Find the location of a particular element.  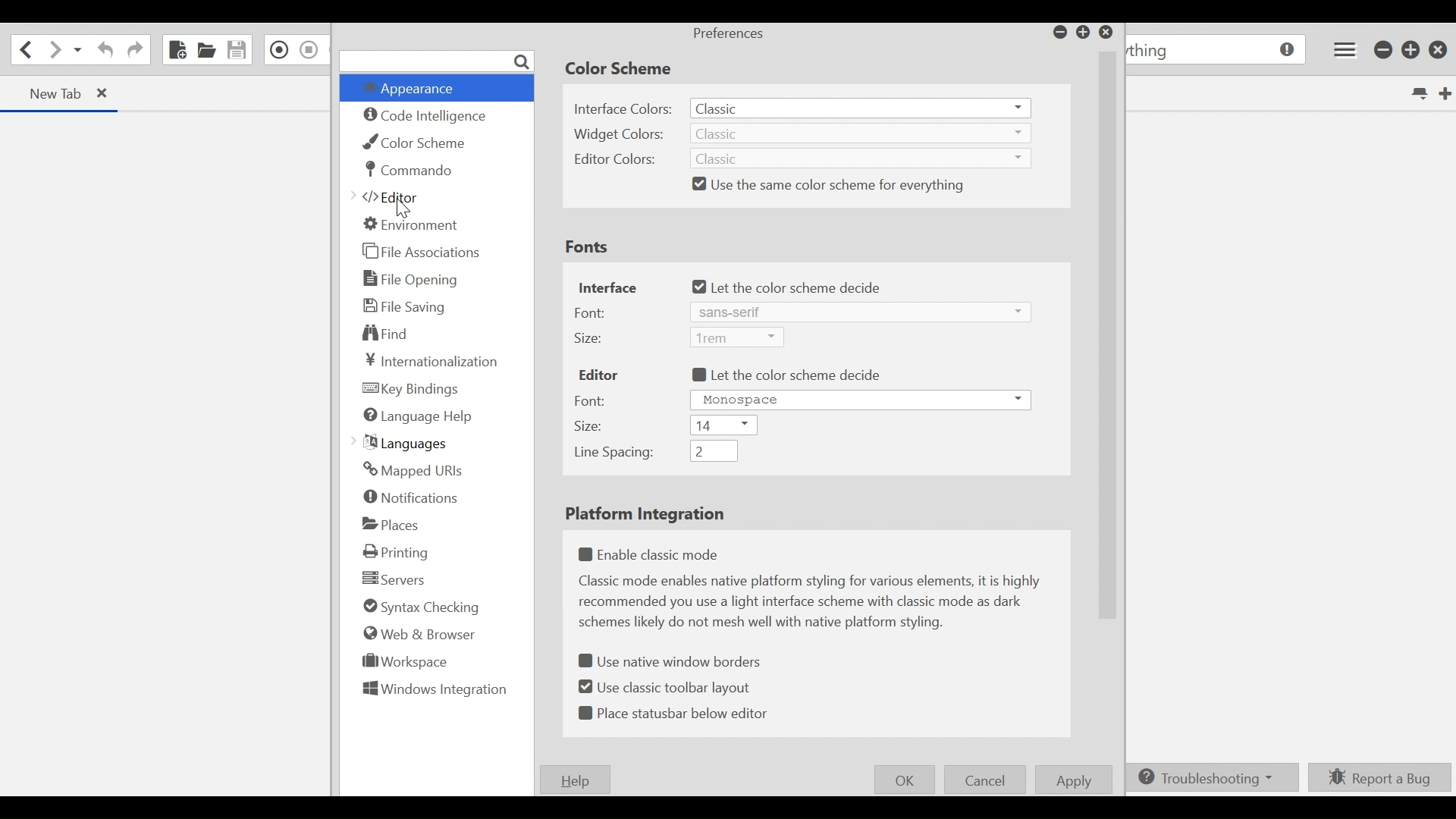

Servers is located at coordinates (394, 578).